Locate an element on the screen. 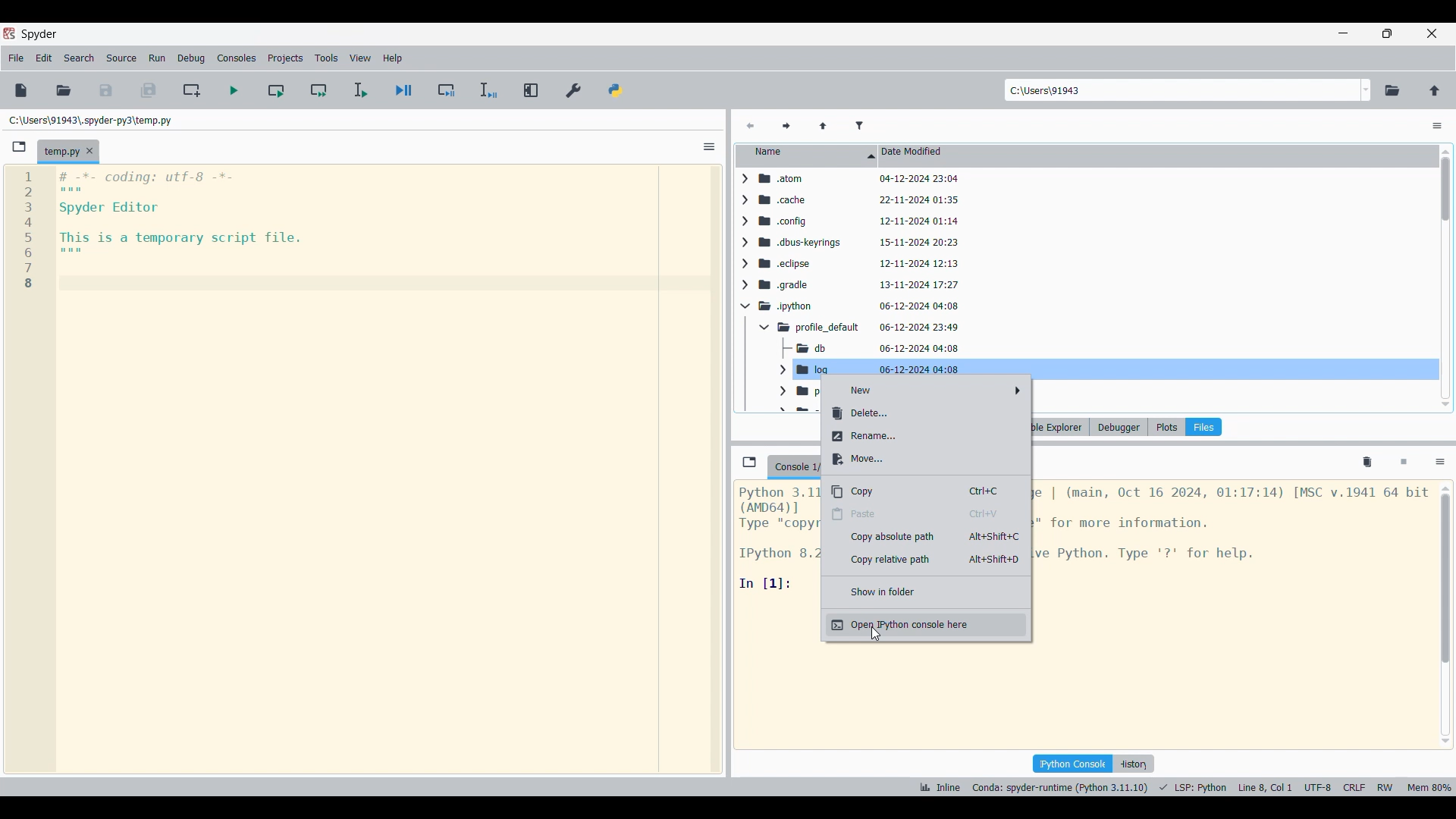 The width and height of the screenshot is (1456, 819). Source menu is located at coordinates (122, 58).